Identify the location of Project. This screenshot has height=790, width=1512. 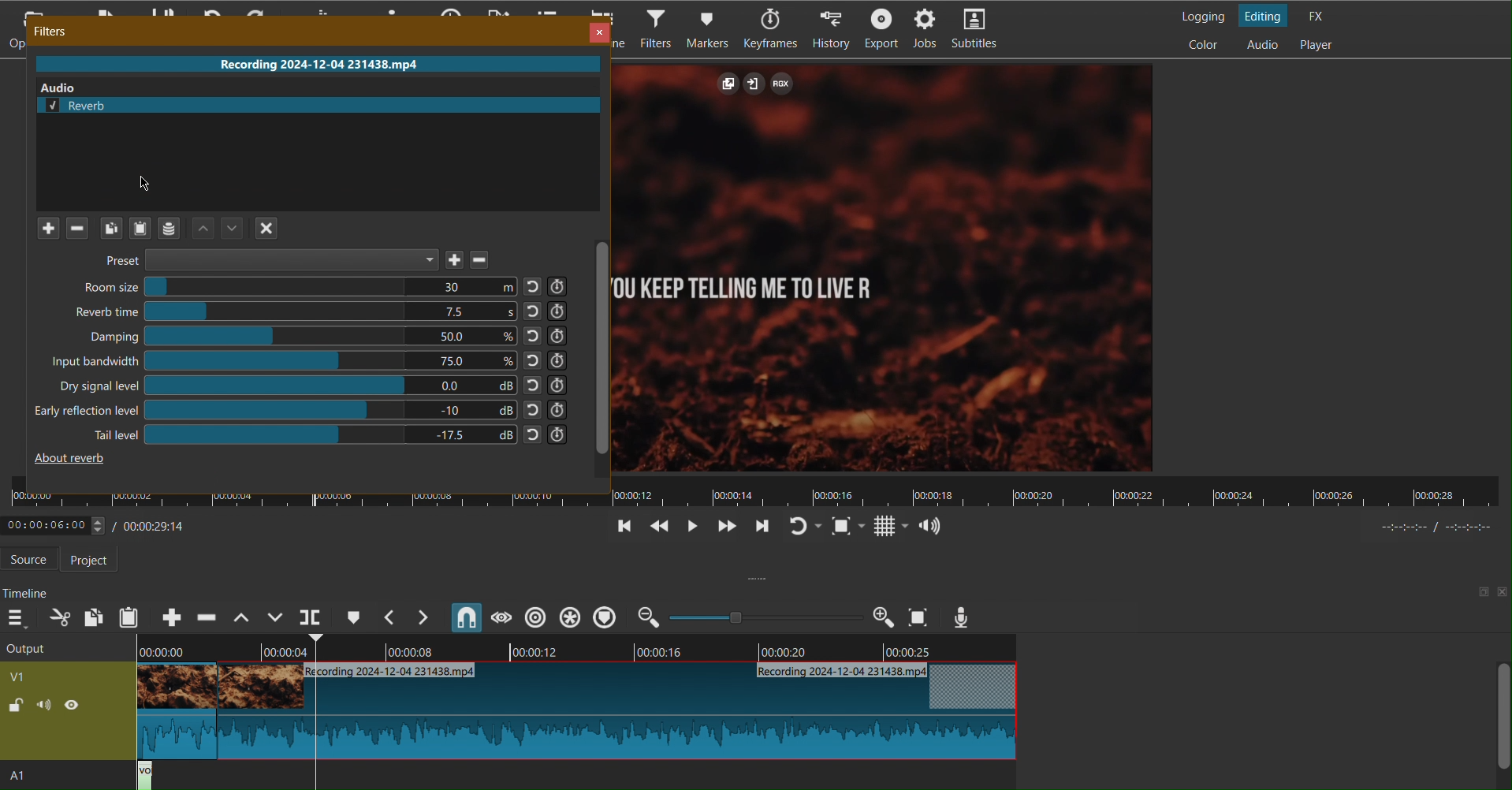
(94, 560).